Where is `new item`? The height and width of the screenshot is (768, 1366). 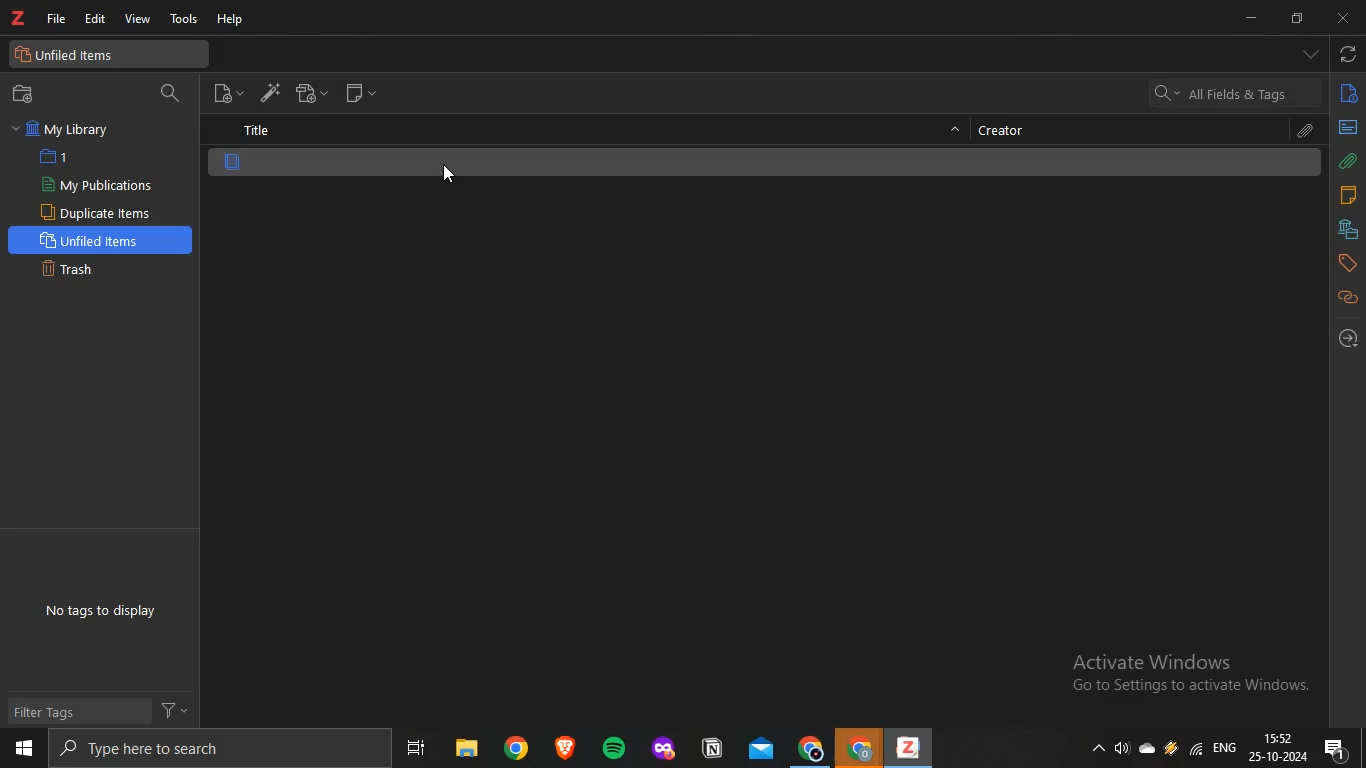 new item is located at coordinates (228, 91).